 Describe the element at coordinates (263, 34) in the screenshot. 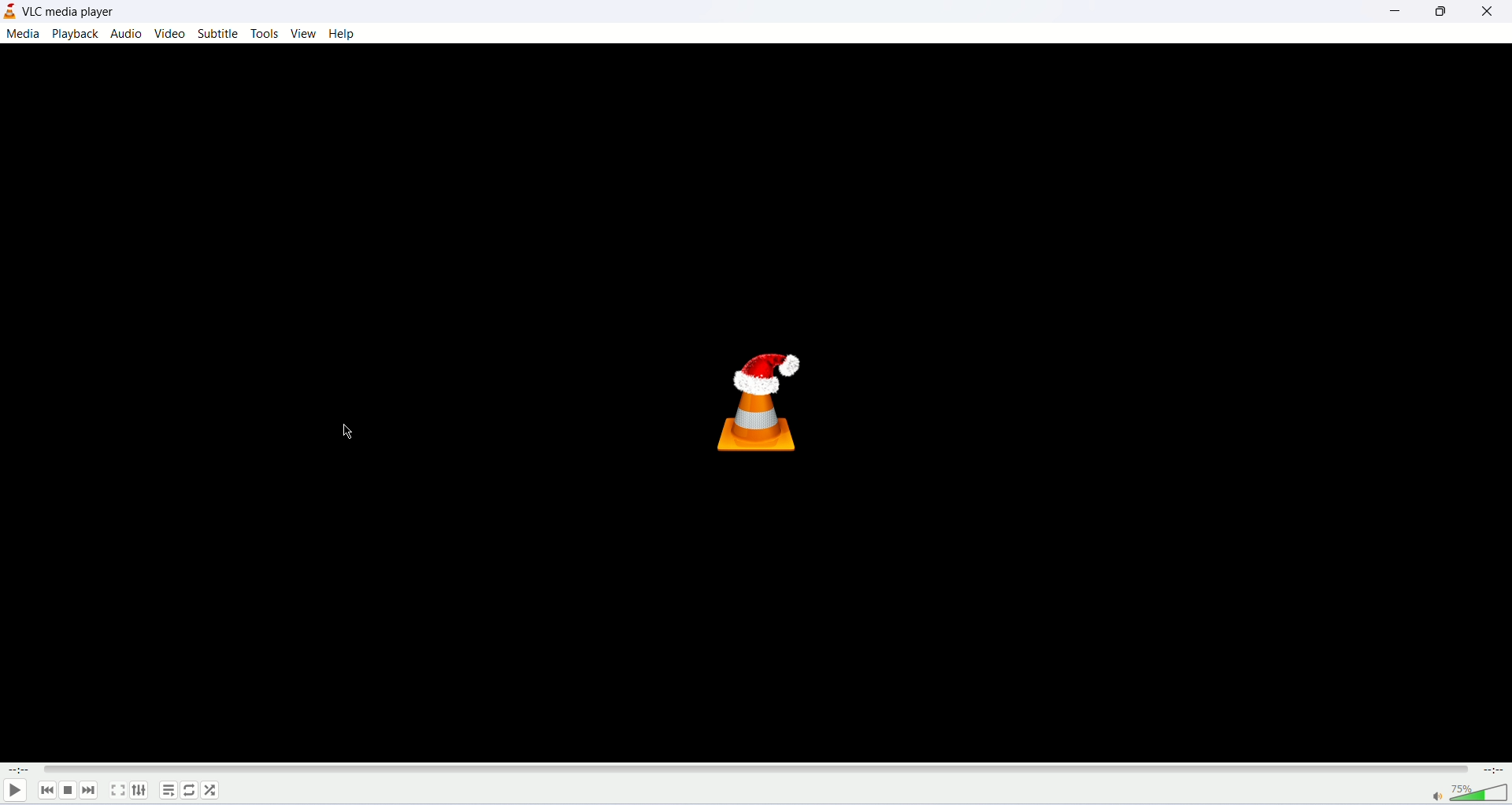

I see `tools` at that location.